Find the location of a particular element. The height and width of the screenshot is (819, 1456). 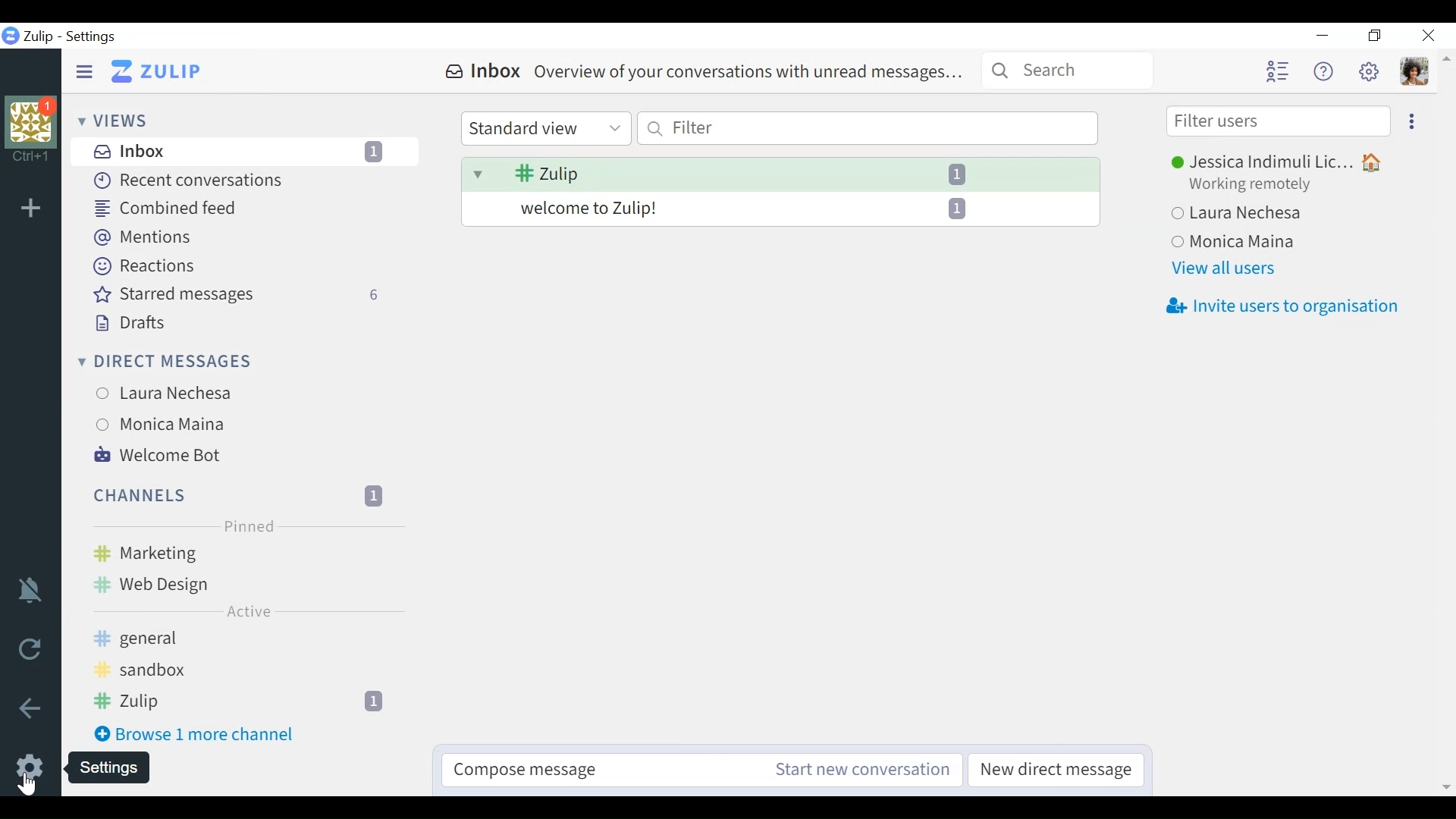

main menu is located at coordinates (1370, 71).